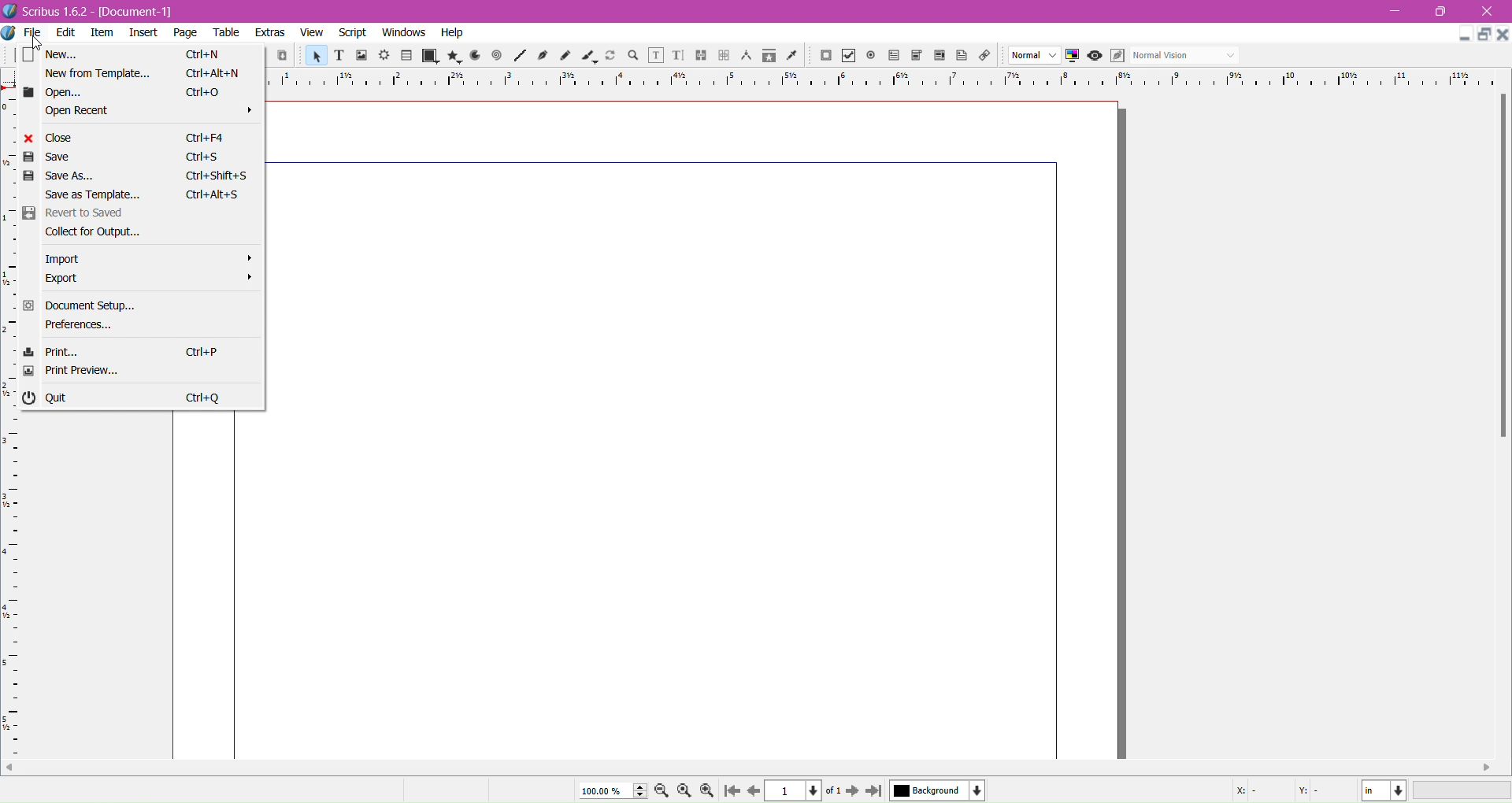  Describe the element at coordinates (143, 74) in the screenshot. I see `New From Template` at that location.